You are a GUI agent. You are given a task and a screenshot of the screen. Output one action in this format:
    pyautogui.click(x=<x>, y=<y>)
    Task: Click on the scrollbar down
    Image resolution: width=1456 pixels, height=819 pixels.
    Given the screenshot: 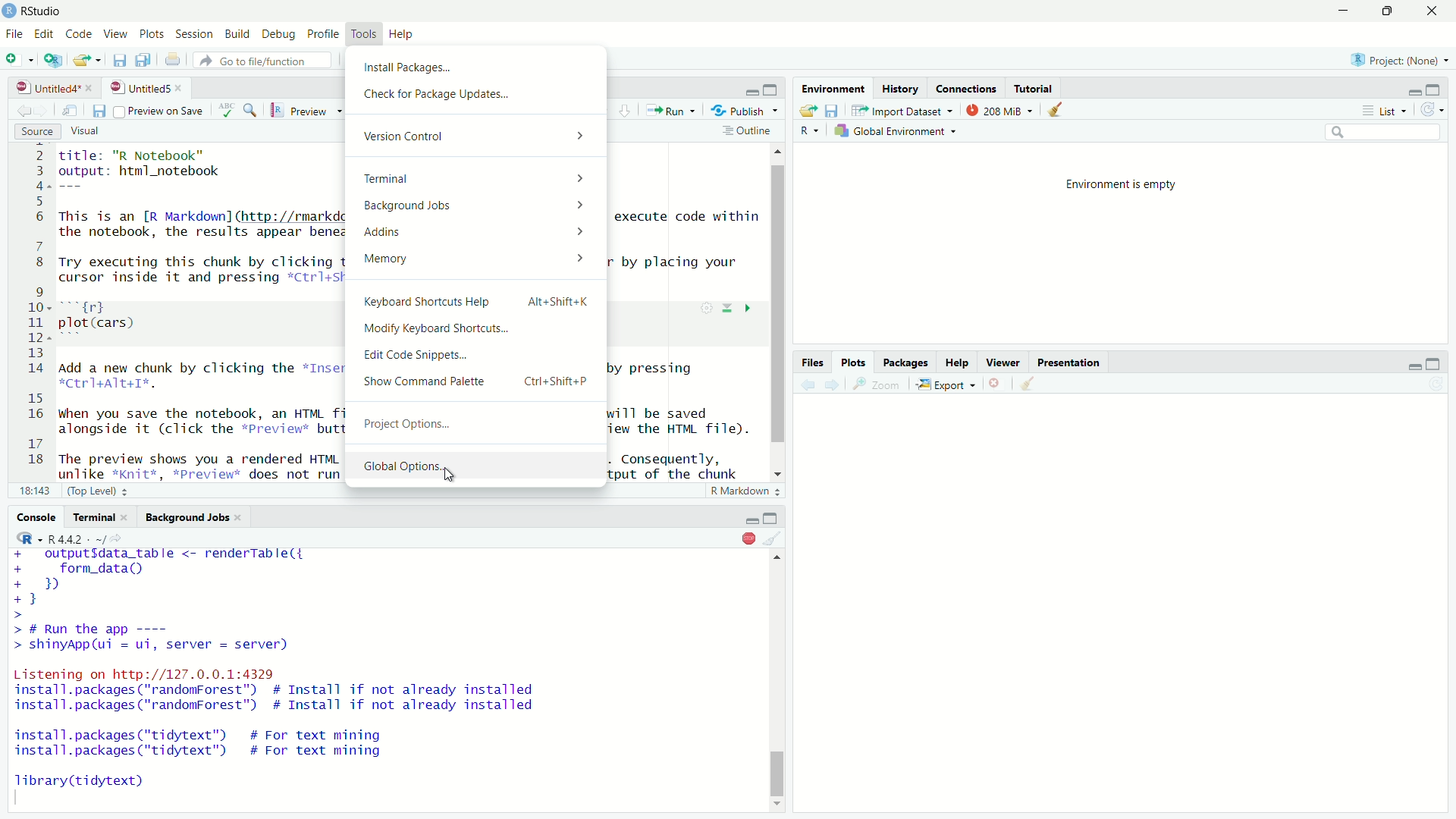 What is the action you would take?
    pyautogui.click(x=775, y=808)
    